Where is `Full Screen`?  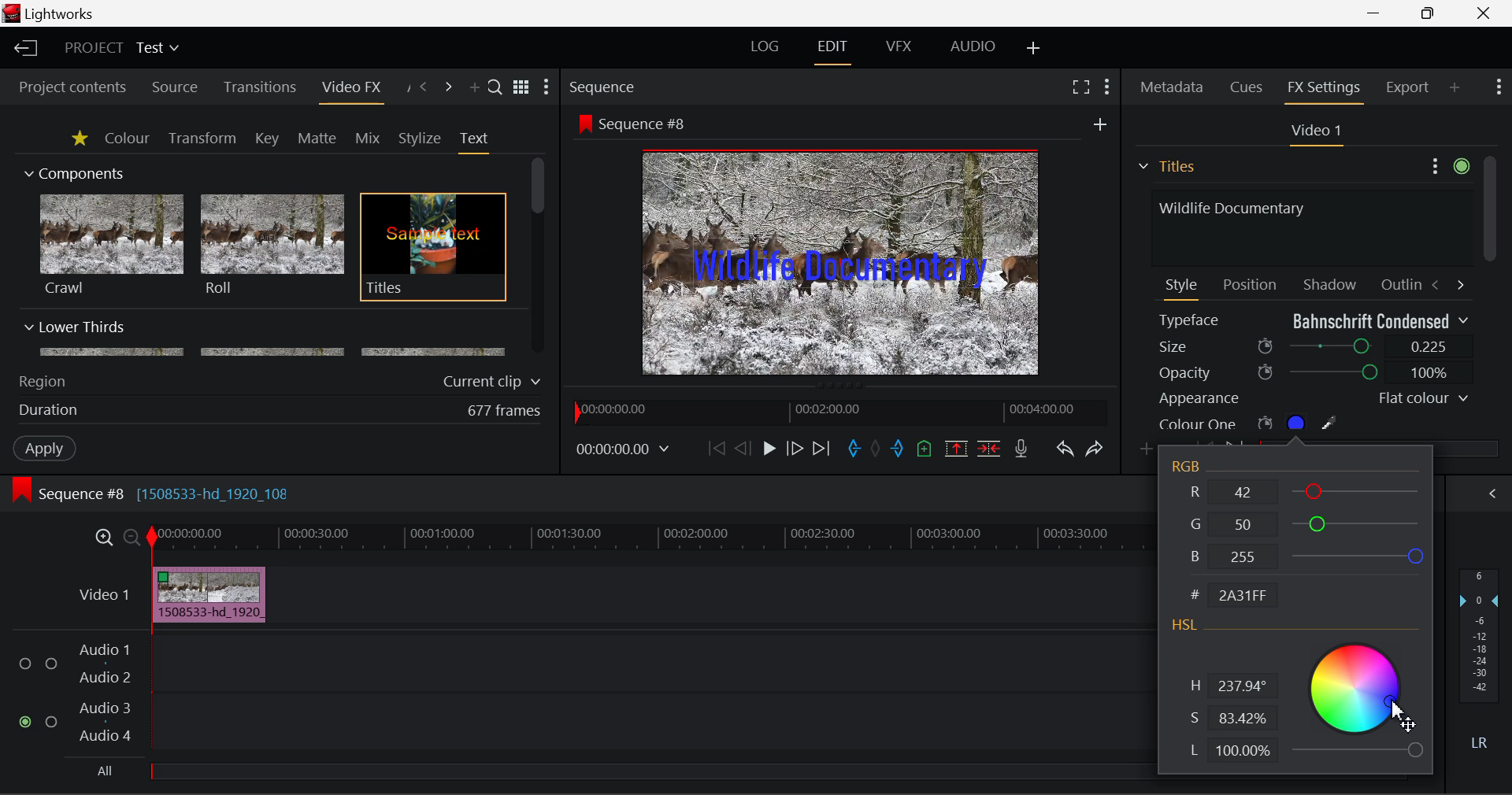 Full Screen is located at coordinates (1081, 86).